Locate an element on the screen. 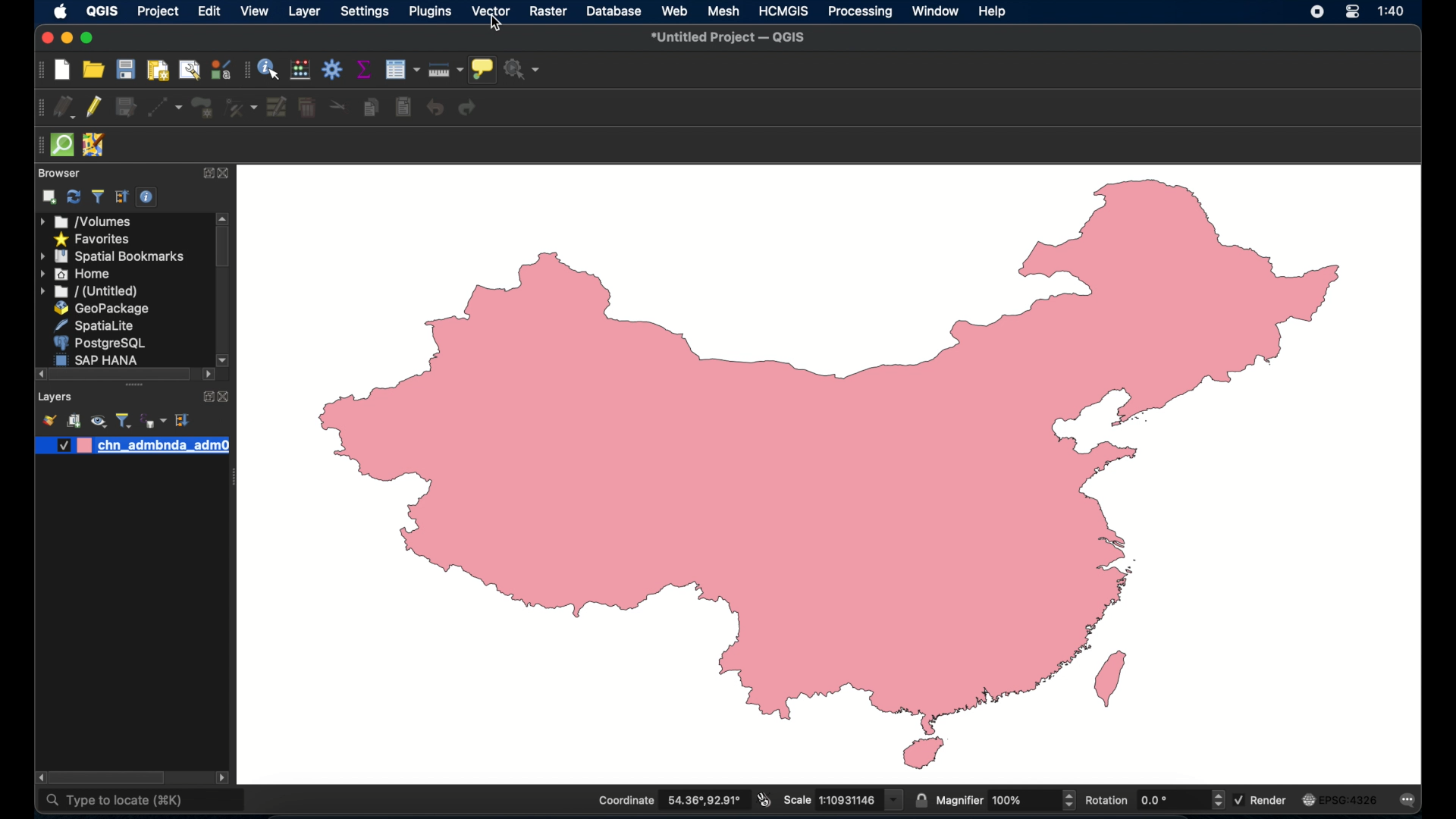  open field calculator is located at coordinates (300, 69).